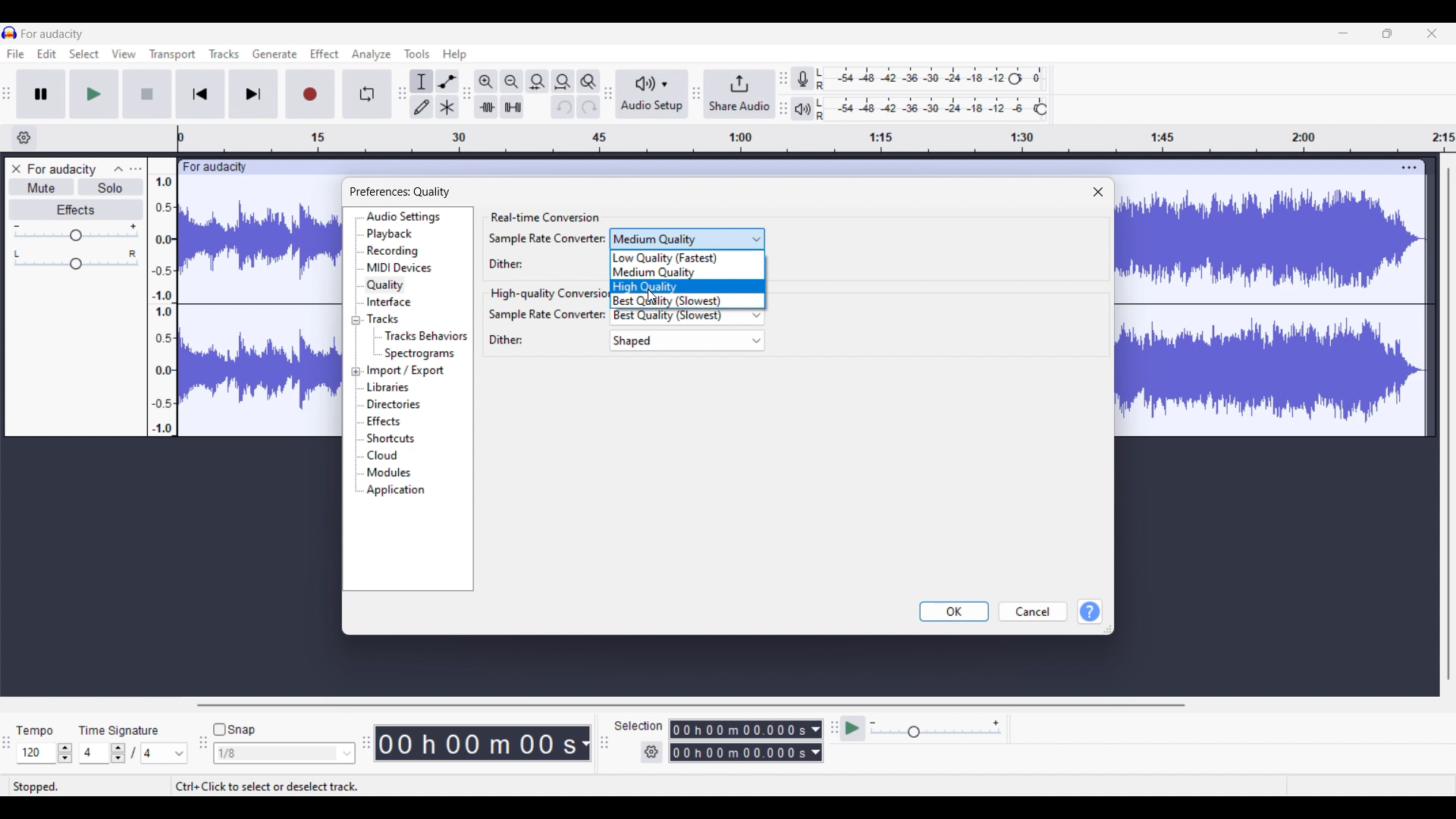  What do you see at coordinates (487, 82) in the screenshot?
I see `Zoom in` at bounding box center [487, 82].